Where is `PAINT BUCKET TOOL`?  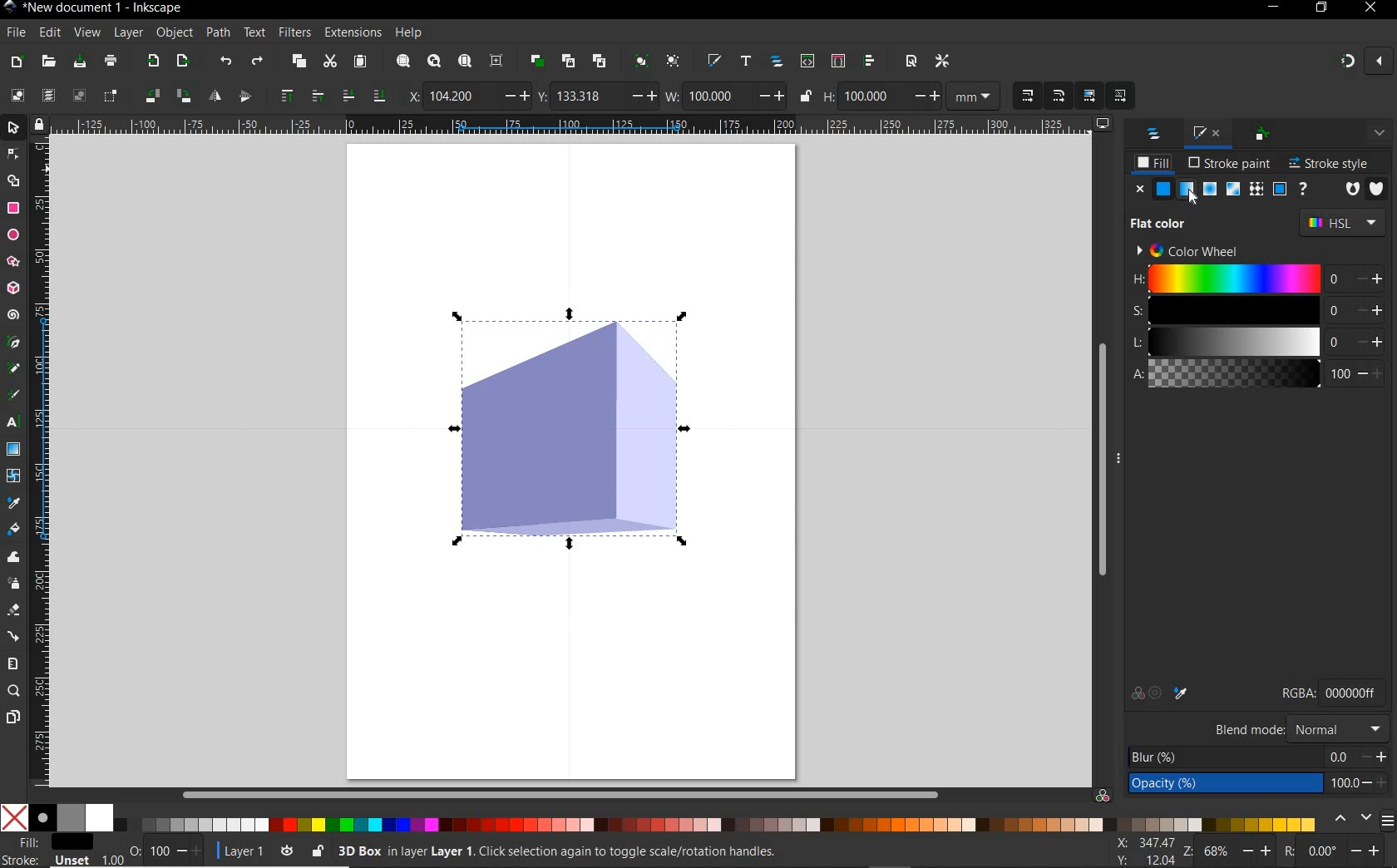
PAINT BUCKET TOOL is located at coordinates (12, 529).